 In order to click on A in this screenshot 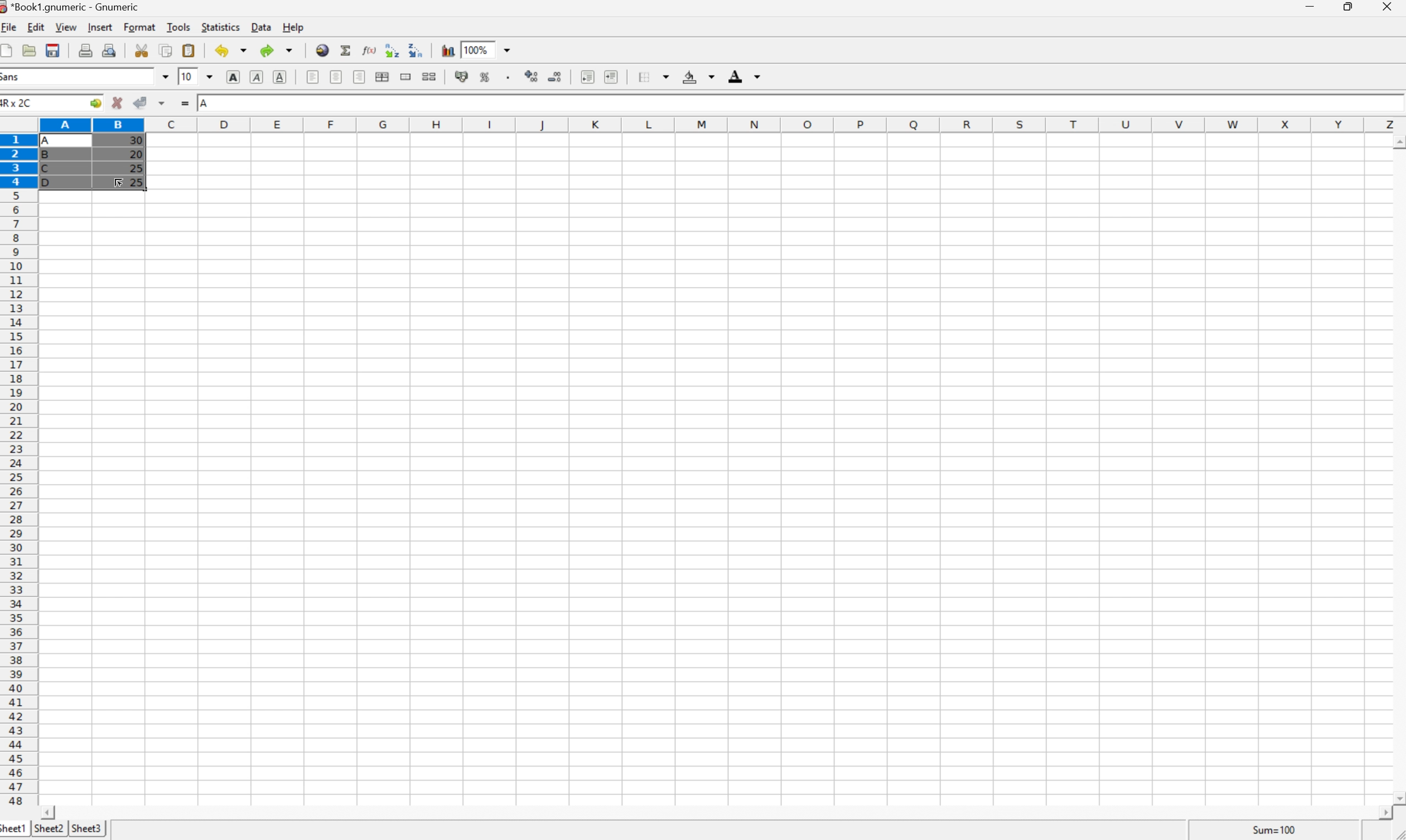, I will do `click(205, 104)`.